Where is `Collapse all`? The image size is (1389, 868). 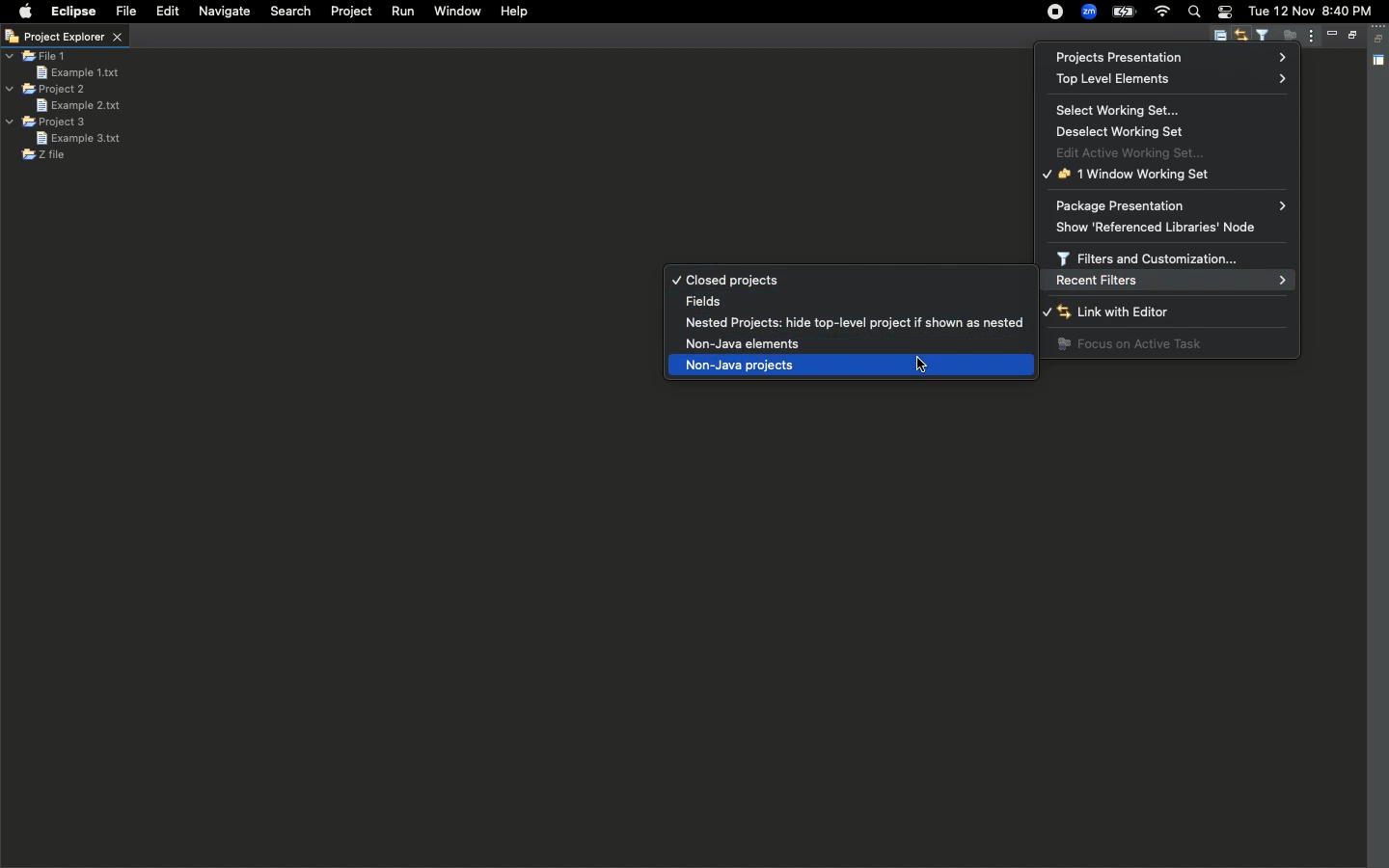 Collapse all is located at coordinates (1219, 38).